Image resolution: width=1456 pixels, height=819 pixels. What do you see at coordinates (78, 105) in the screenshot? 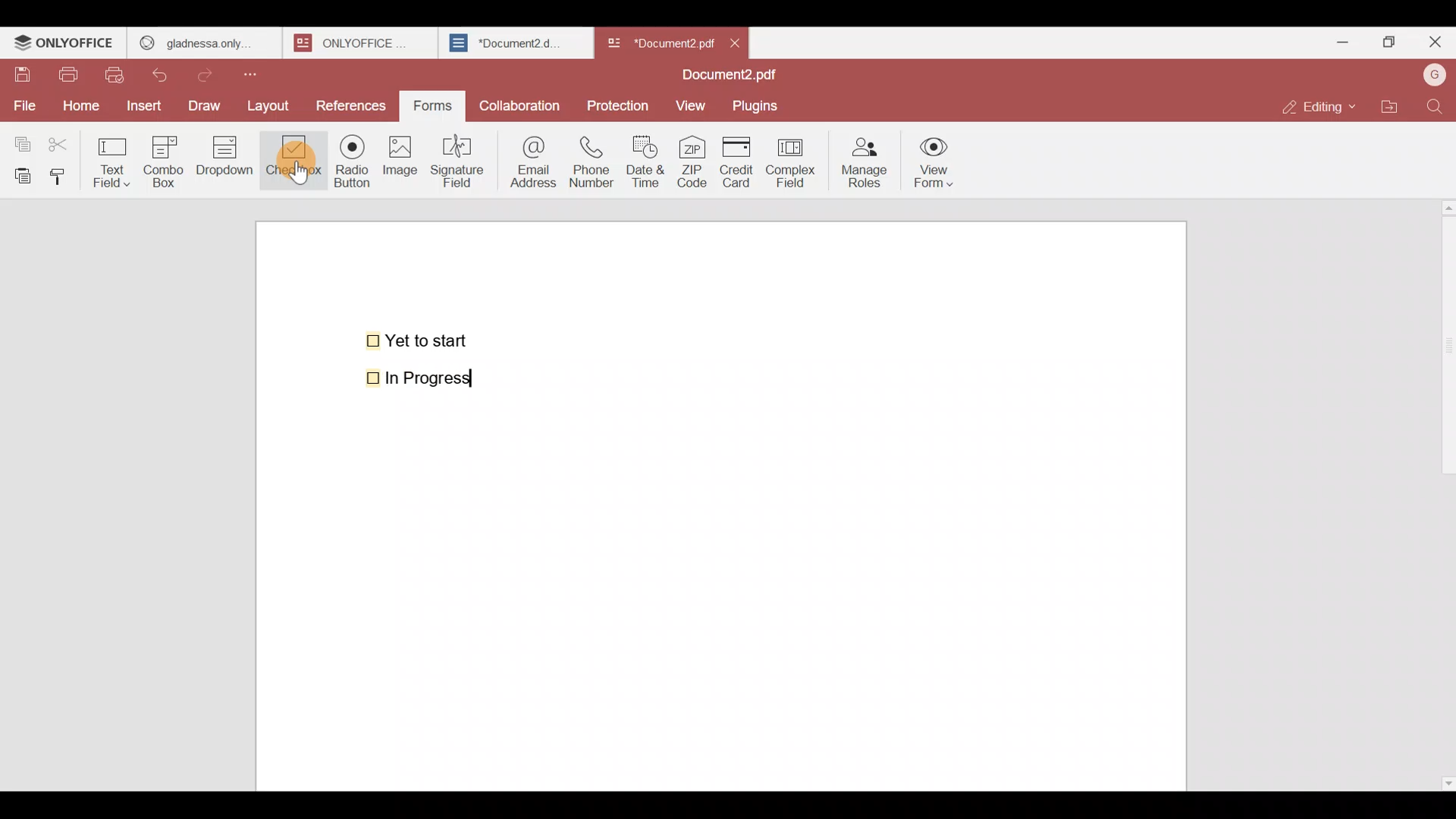
I see `Home` at bounding box center [78, 105].